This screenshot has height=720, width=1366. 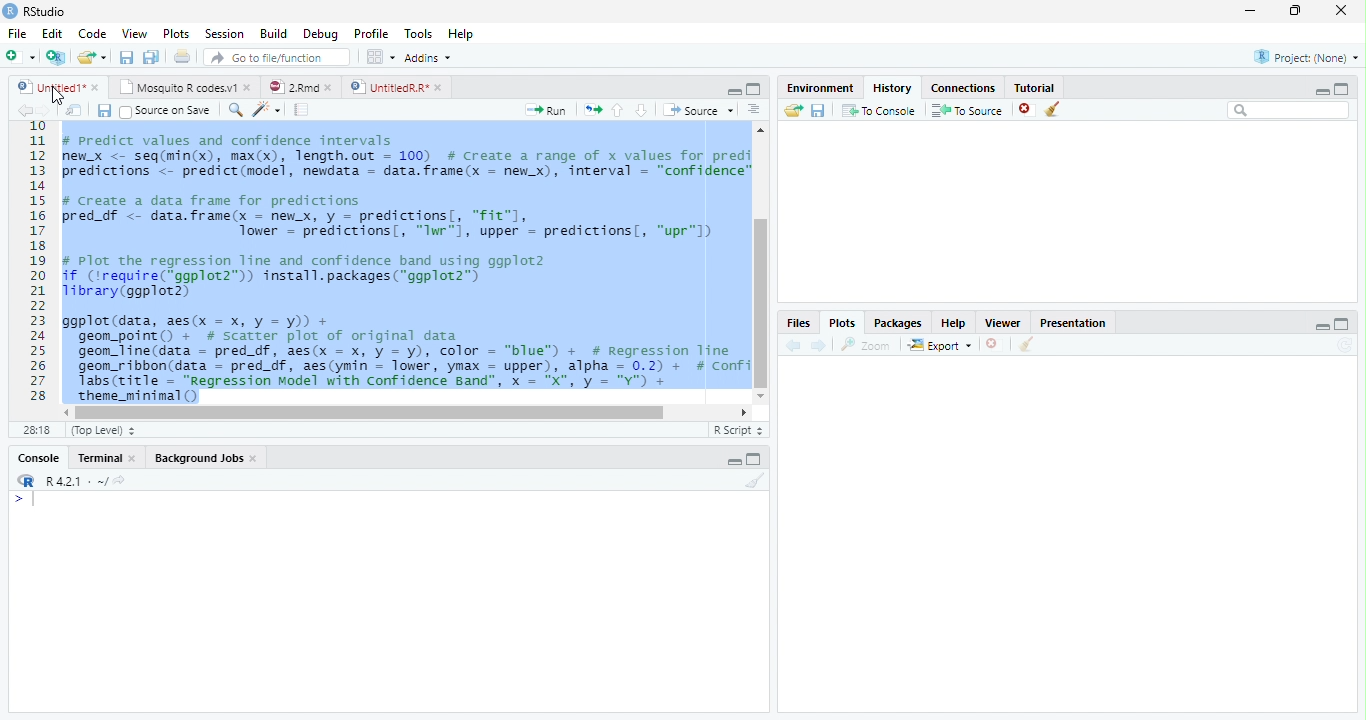 I want to click on Terminal, so click(x=108, y=455).